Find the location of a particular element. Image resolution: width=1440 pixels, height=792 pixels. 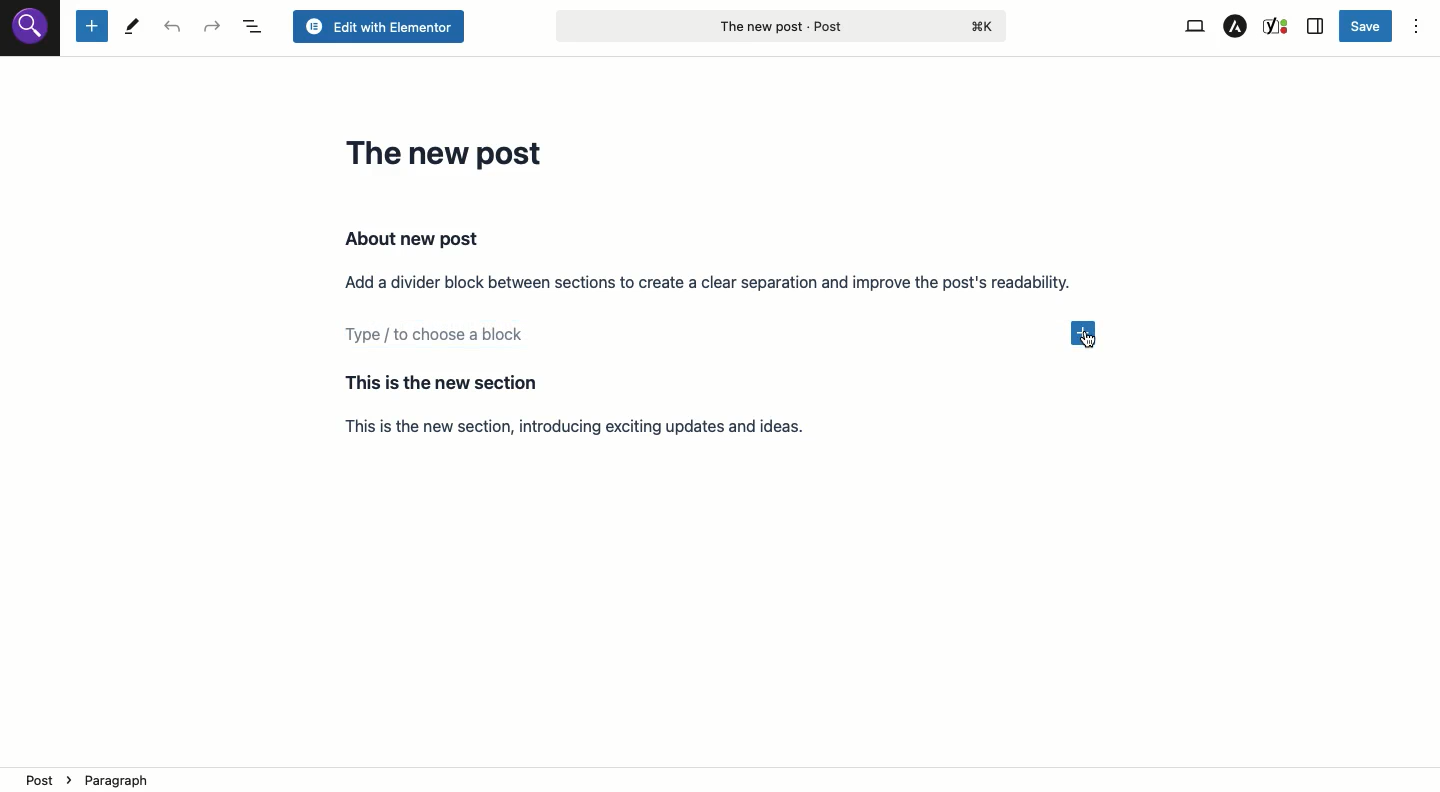

Tools is located at coordinates (132, 28).